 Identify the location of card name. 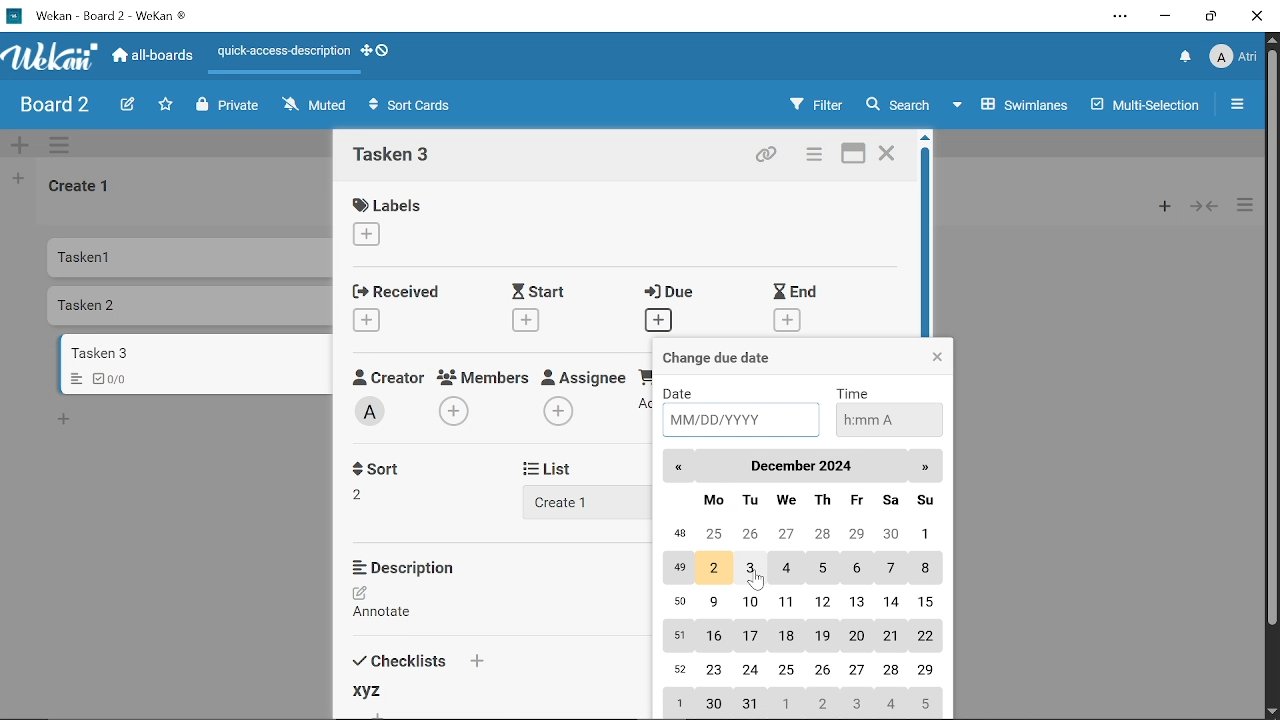
(399, 157).